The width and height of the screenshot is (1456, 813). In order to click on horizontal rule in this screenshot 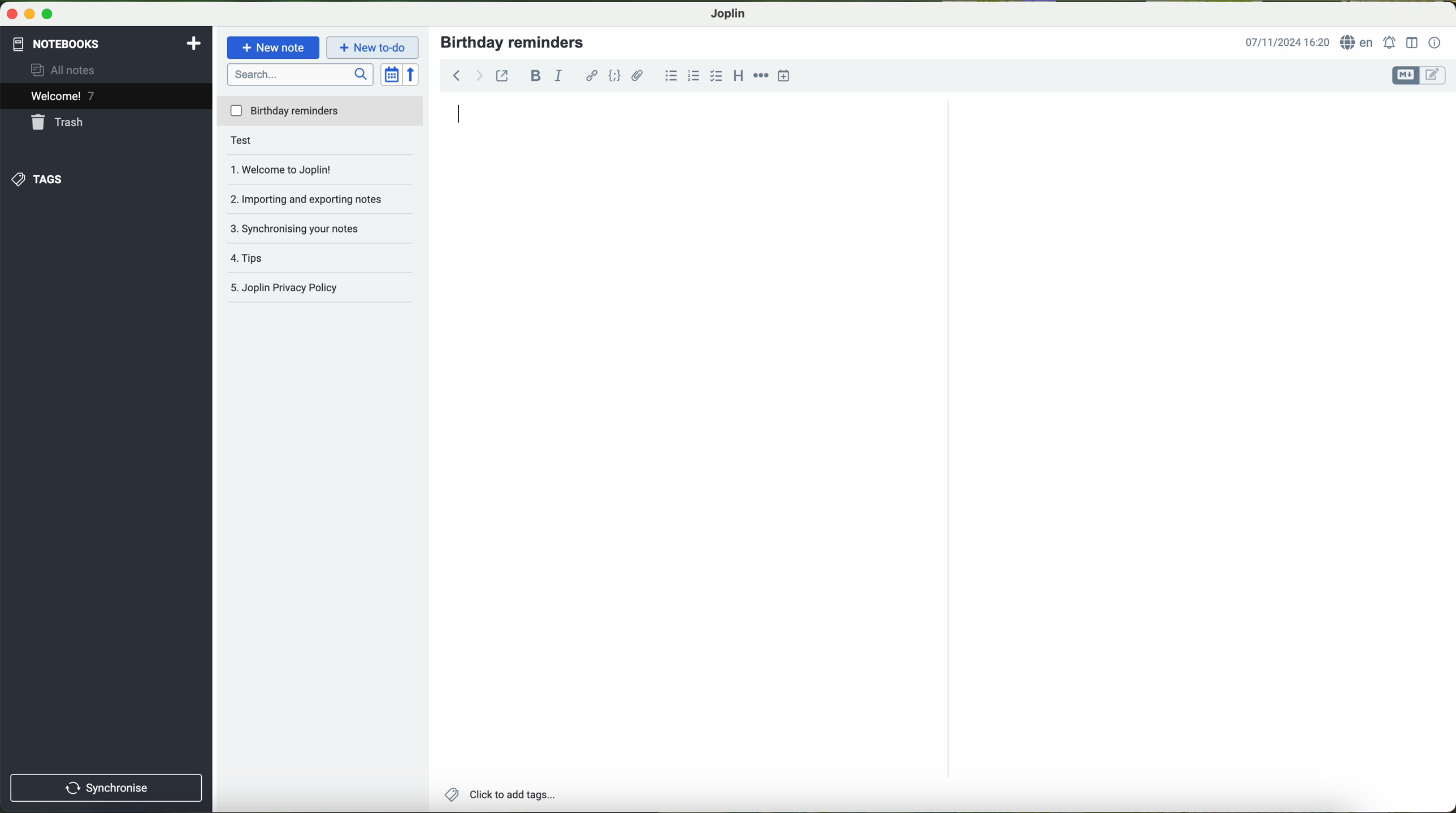, I will do `click(761, 76)`.